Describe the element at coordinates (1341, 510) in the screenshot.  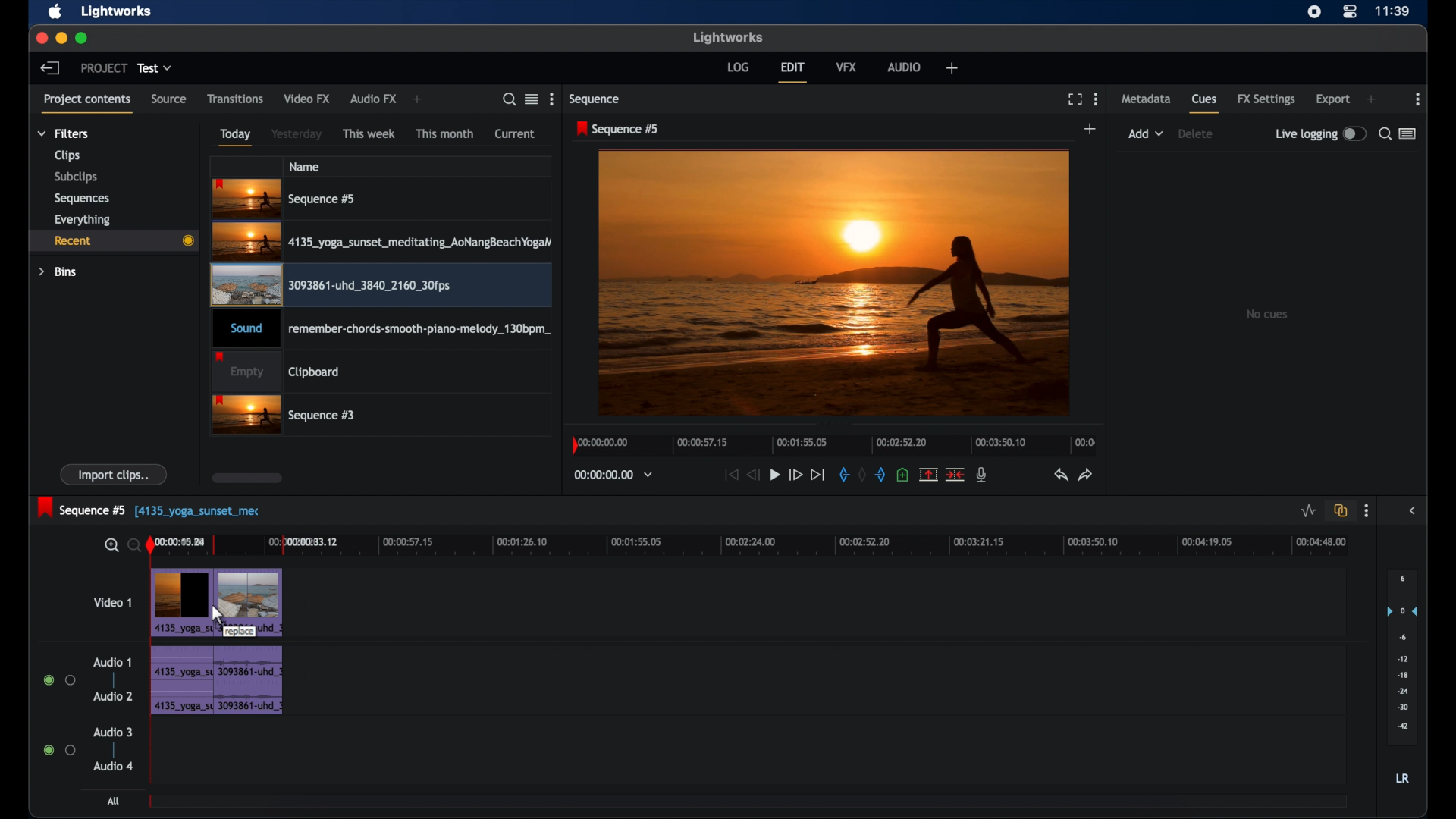
I see `toggle auto track sync` at that location.